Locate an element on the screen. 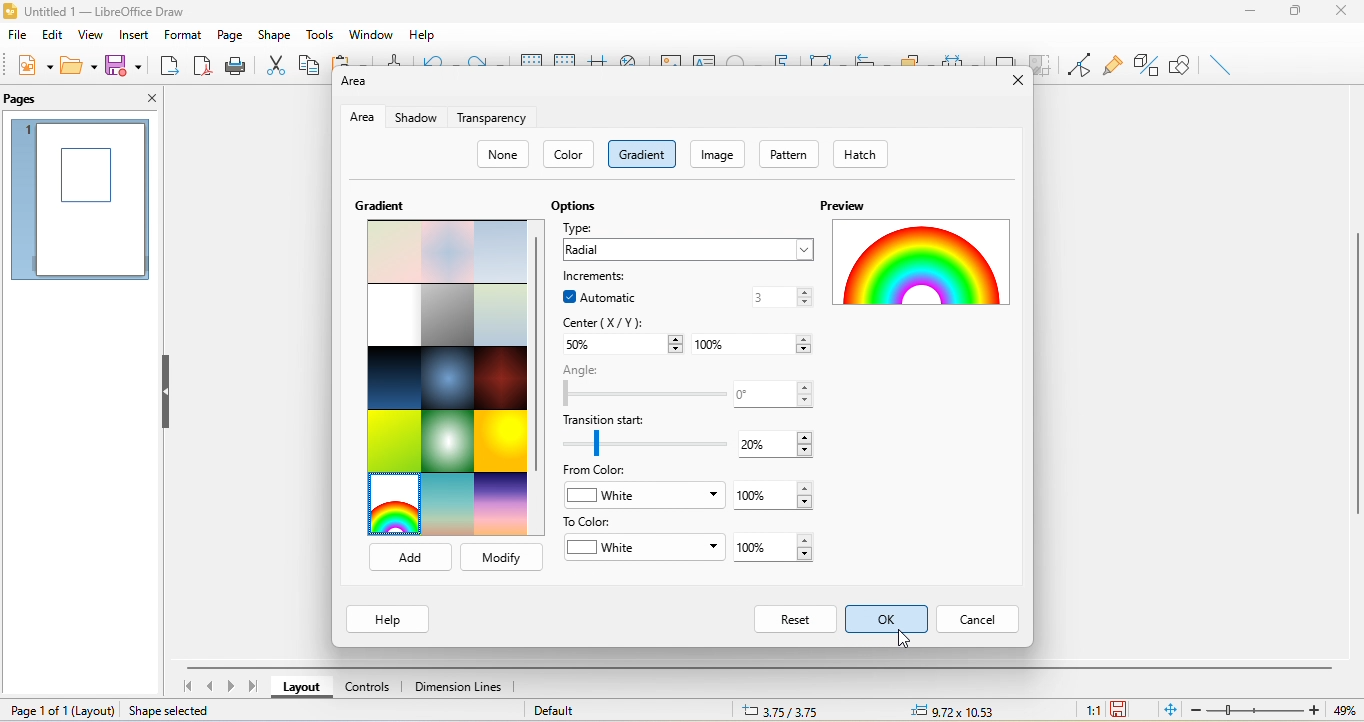  transparency is located at coordinates (492, 121).